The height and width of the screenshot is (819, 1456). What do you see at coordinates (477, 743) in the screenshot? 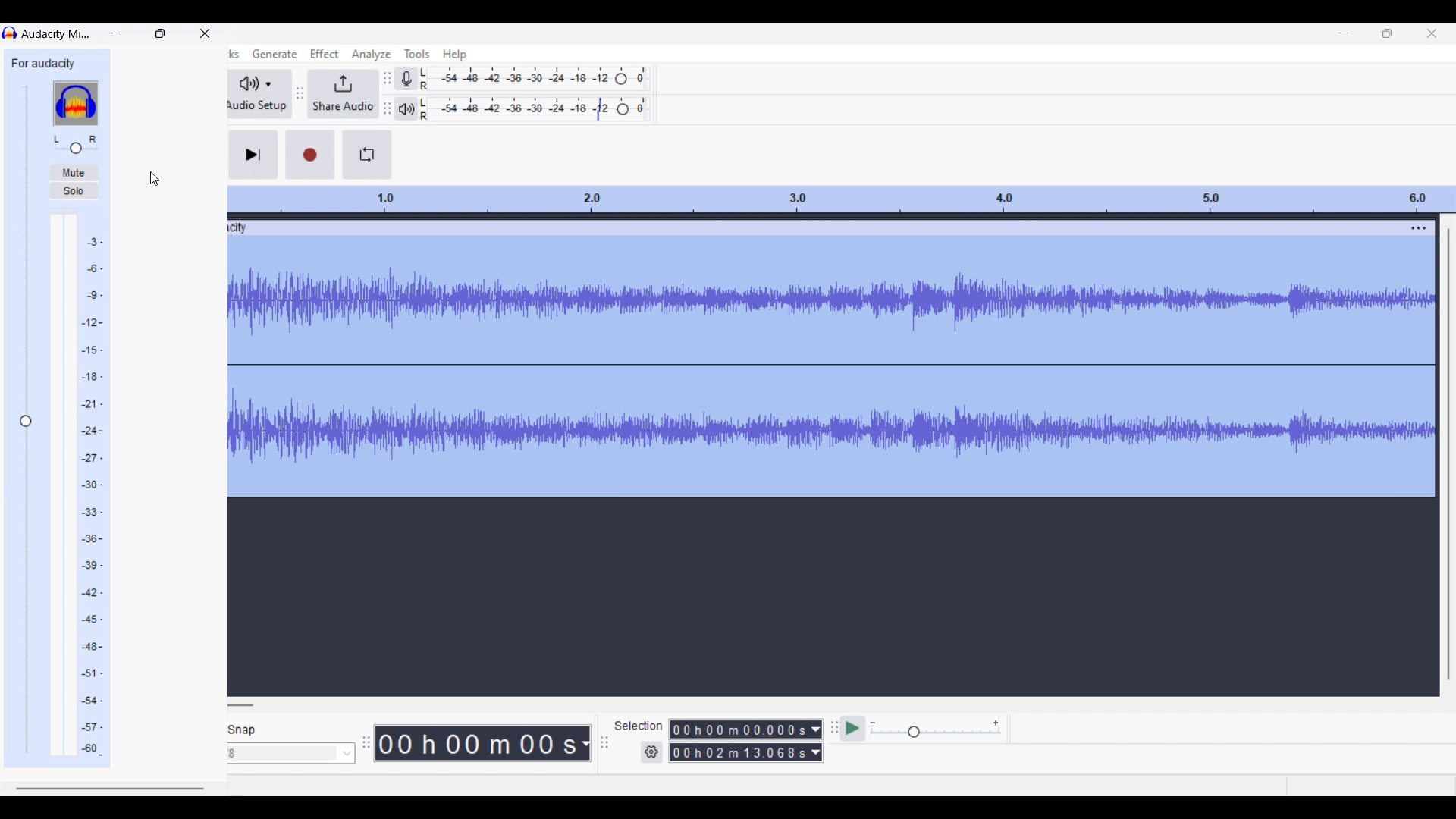
I see `Current duration of track` at bounding box center [477, 743].